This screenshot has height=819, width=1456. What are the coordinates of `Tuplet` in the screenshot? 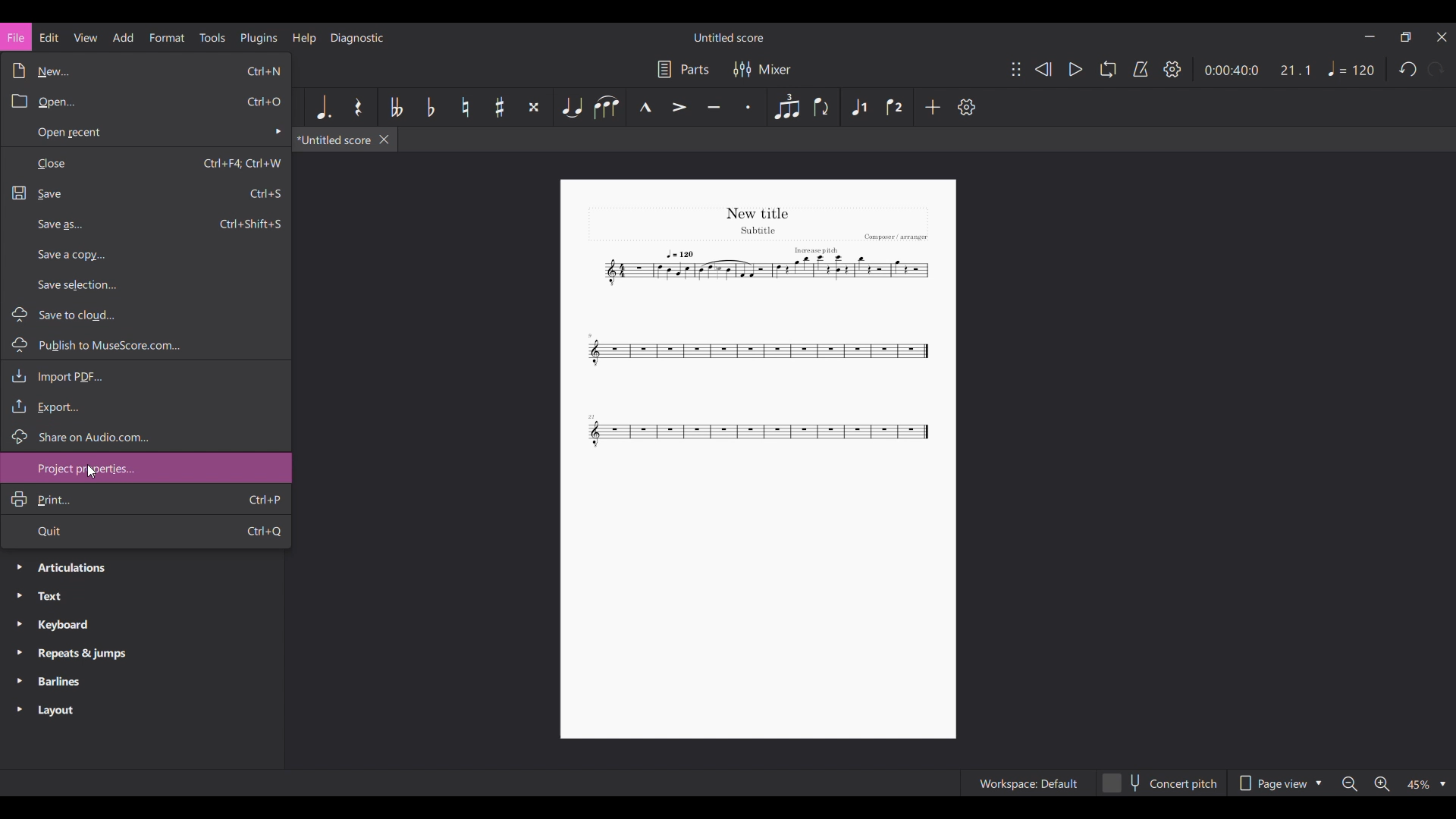 It's located at (786, 107).